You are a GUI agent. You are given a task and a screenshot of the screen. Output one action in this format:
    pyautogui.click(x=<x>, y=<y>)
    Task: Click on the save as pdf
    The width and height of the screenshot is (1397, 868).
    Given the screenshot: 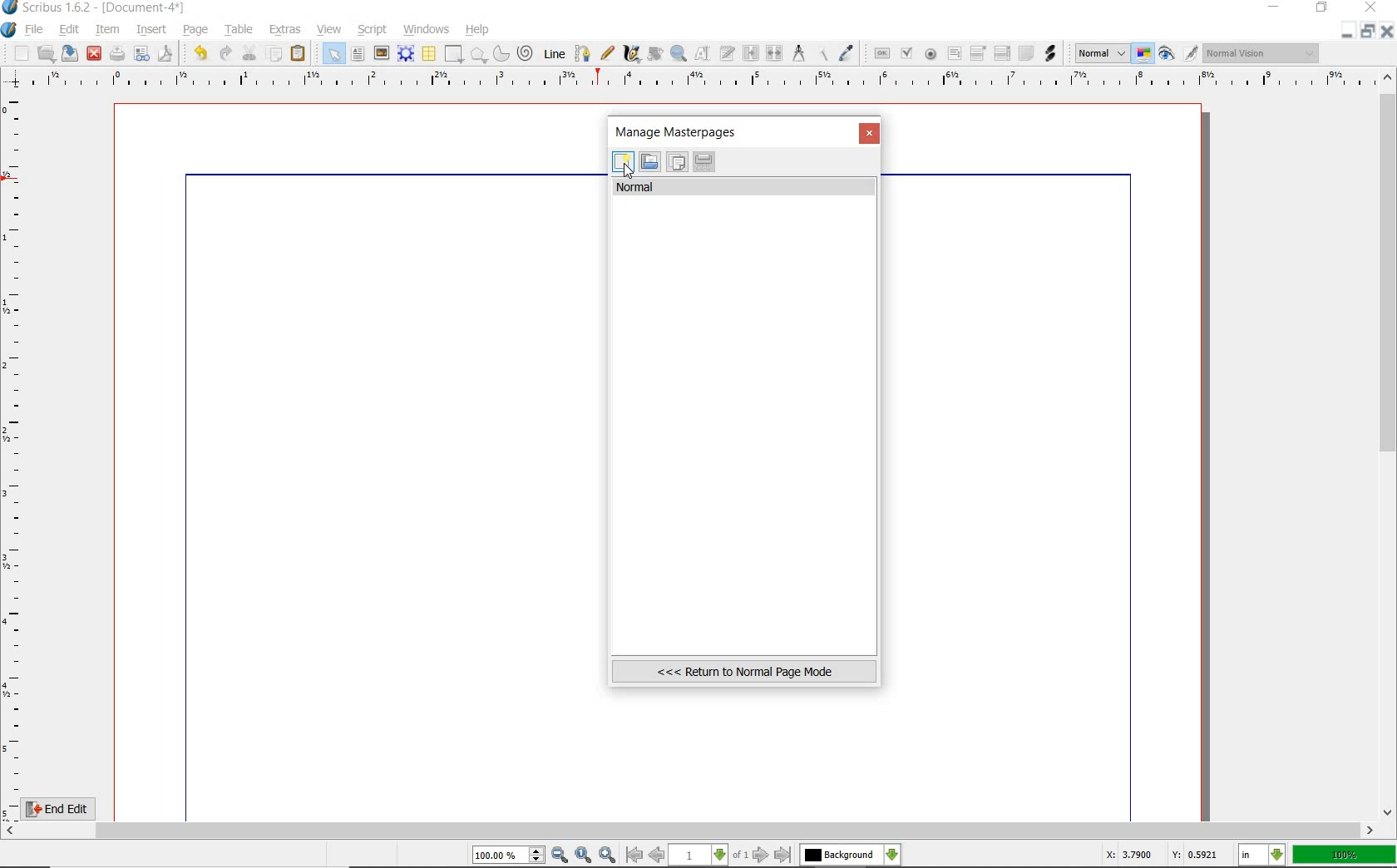 What is the action you would take?
    pyautogui.click(x=164, y=53)
    